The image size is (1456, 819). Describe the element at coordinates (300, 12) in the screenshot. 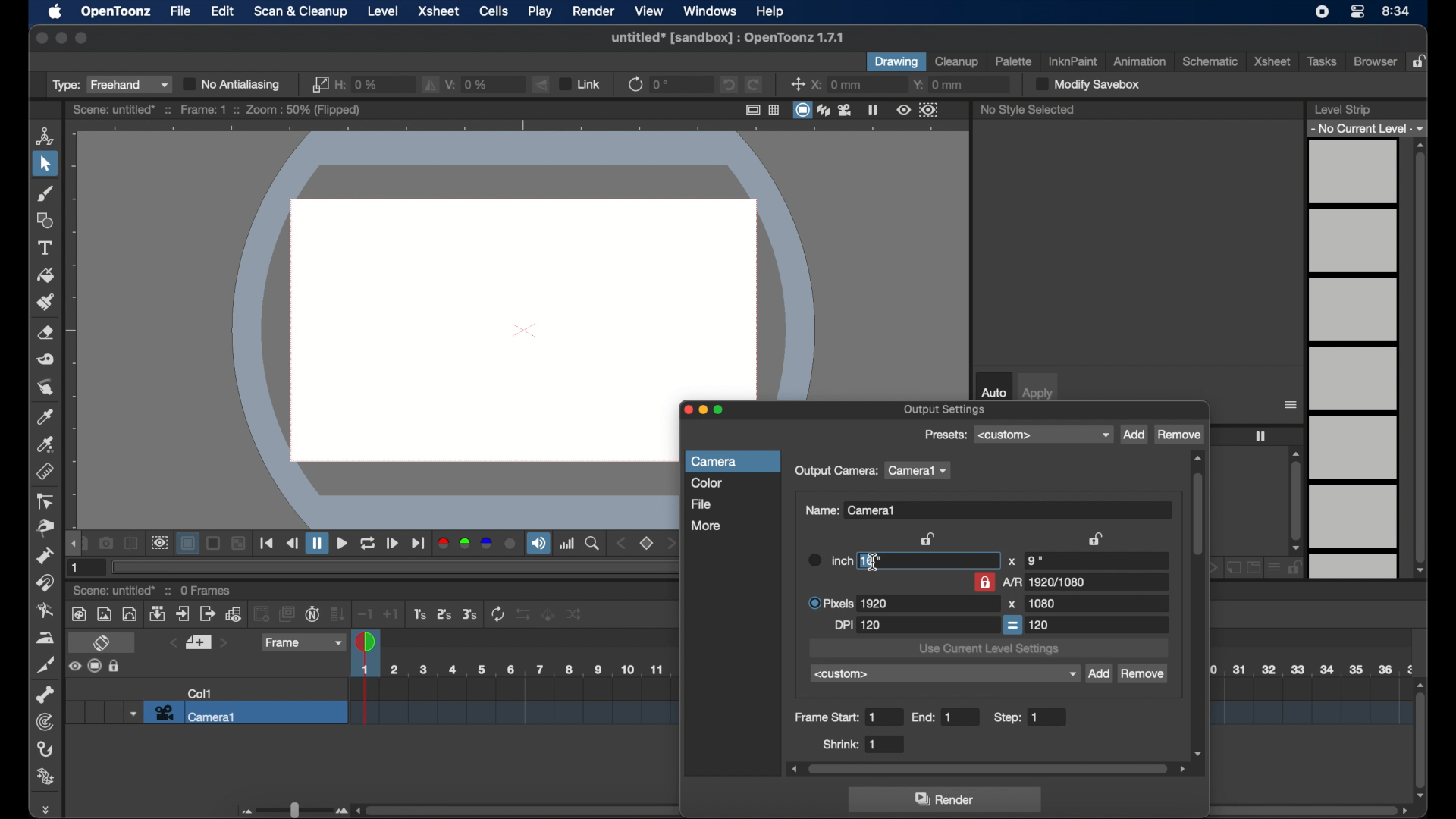

I see `scan & cleanup` at that location.